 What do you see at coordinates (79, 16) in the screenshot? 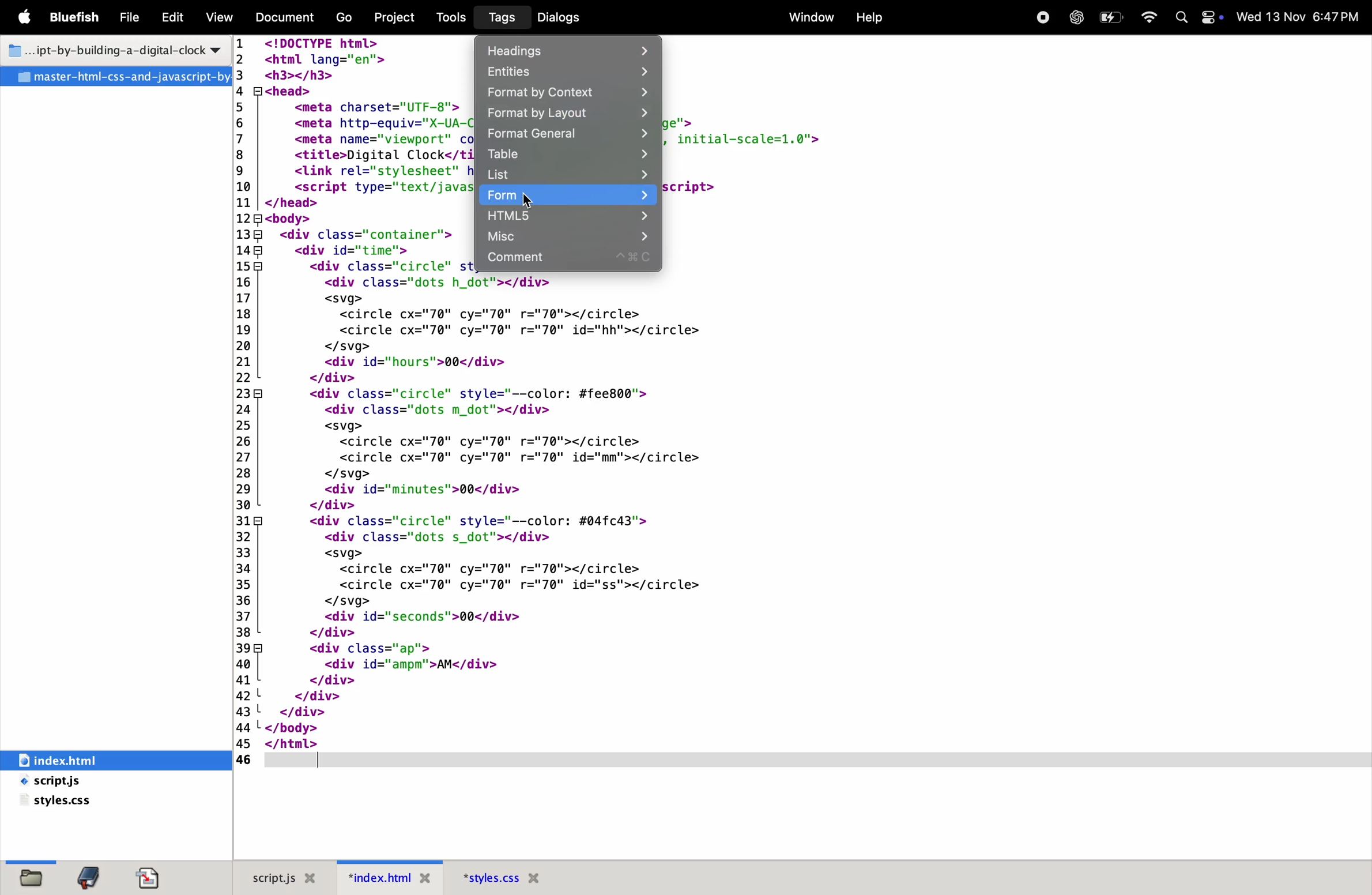
I see `Blue fish` at bounding box center [79, 16].